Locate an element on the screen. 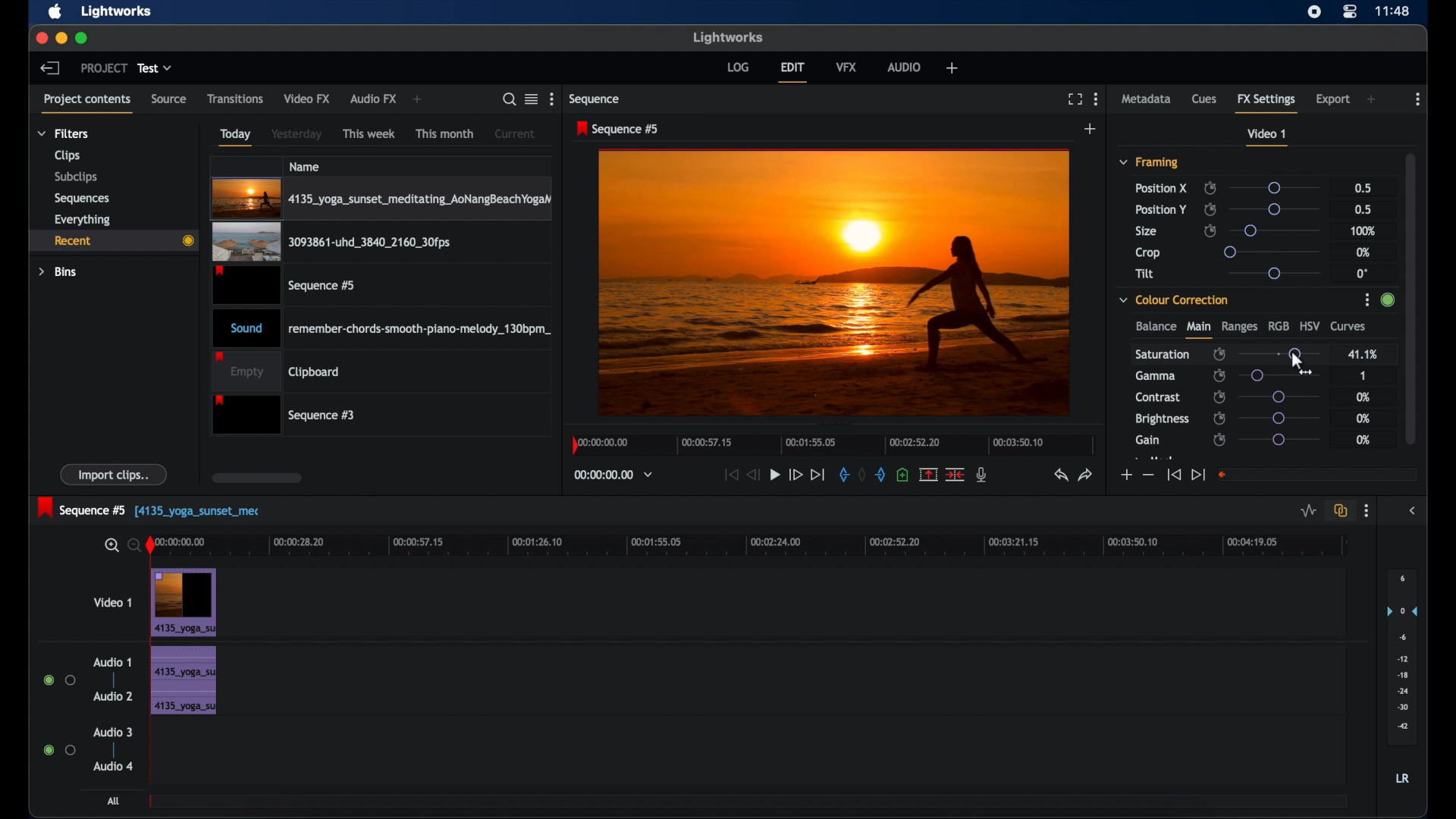  0% is located at coordinates (1364, 419).